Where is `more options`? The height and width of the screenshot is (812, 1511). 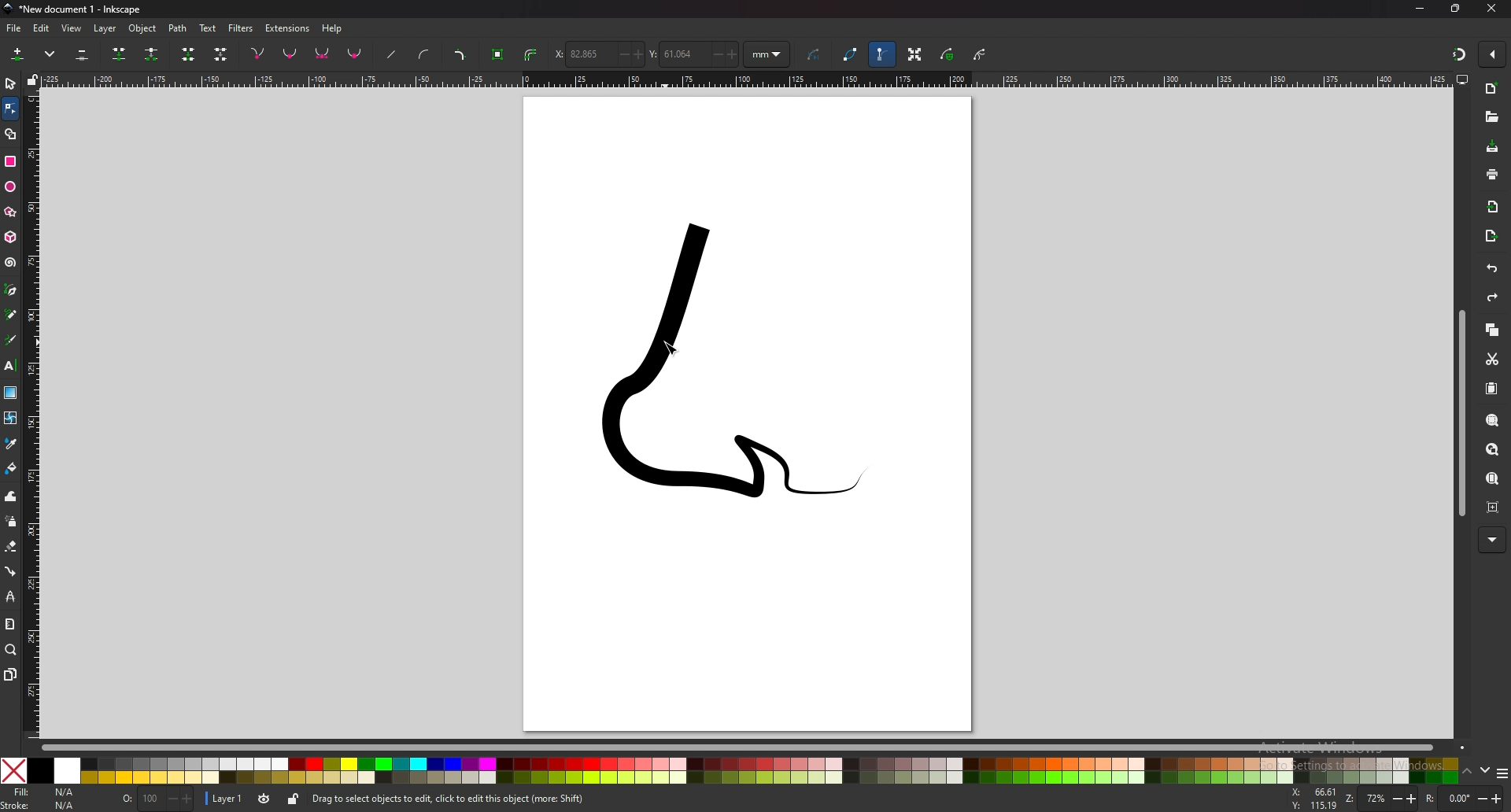
more options is located at coordinates (53, 54).